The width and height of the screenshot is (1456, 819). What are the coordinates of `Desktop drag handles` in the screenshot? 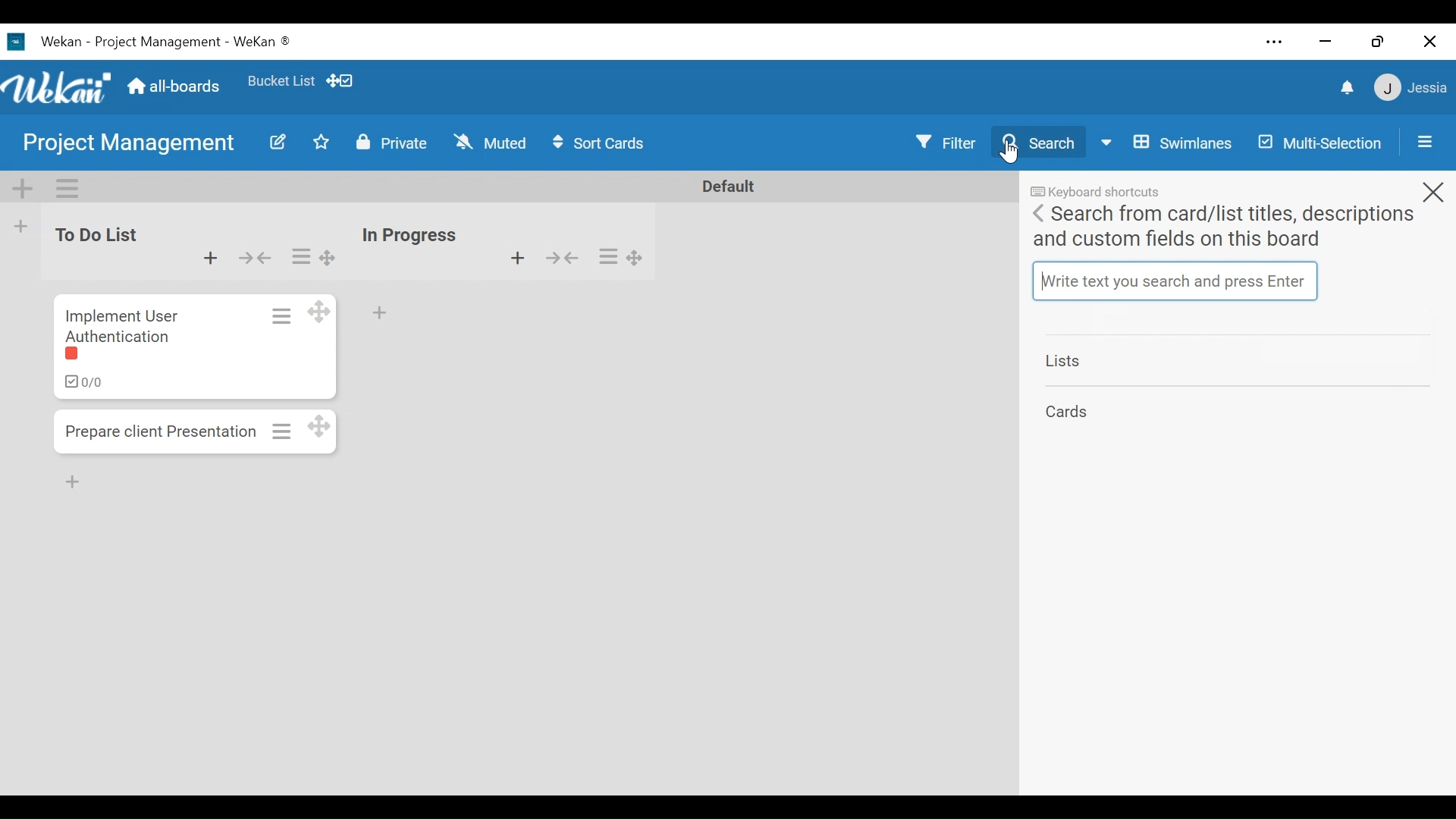 It's located at (640, 260).